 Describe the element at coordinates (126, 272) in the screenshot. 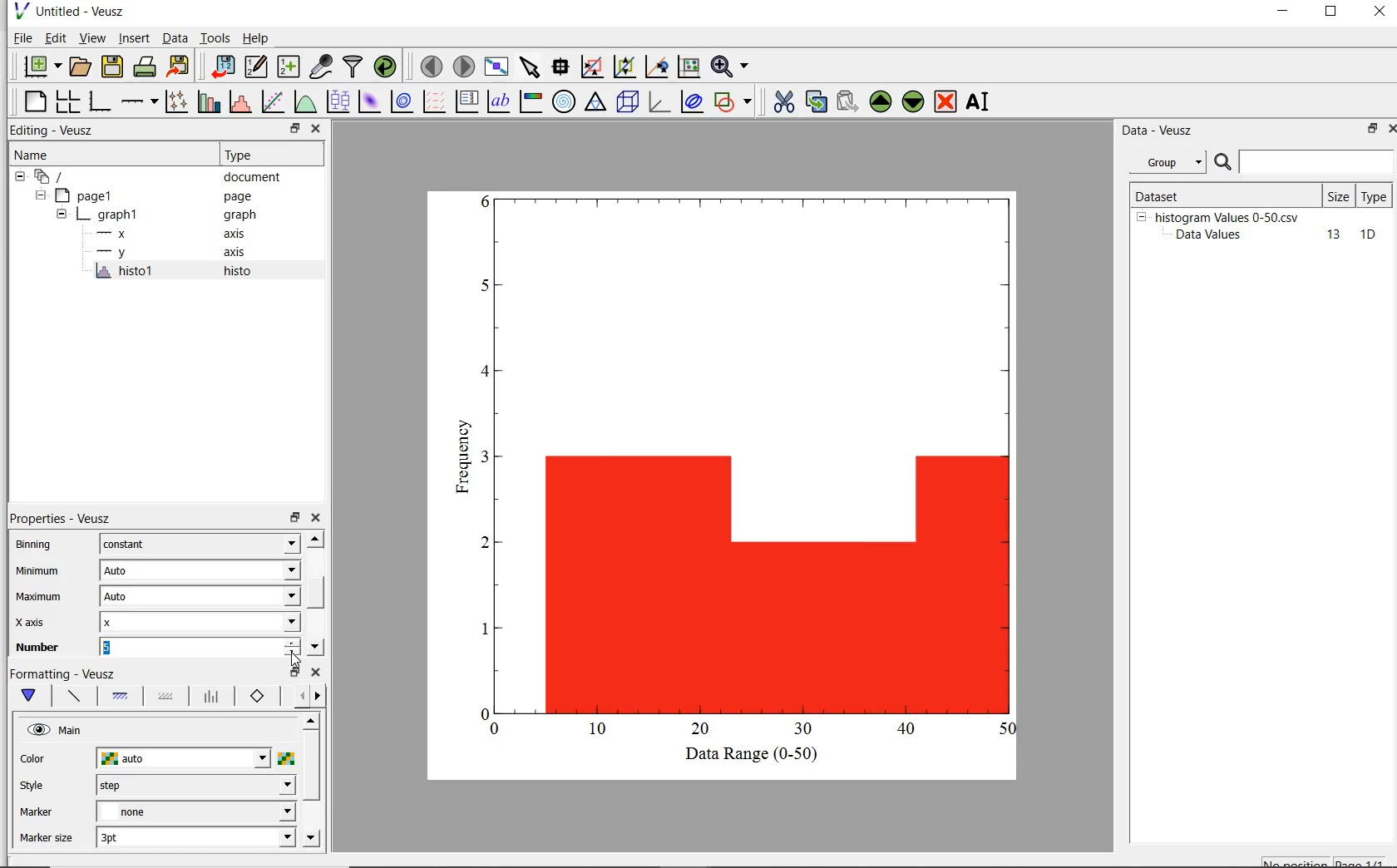

I see `histo 1` at that location.